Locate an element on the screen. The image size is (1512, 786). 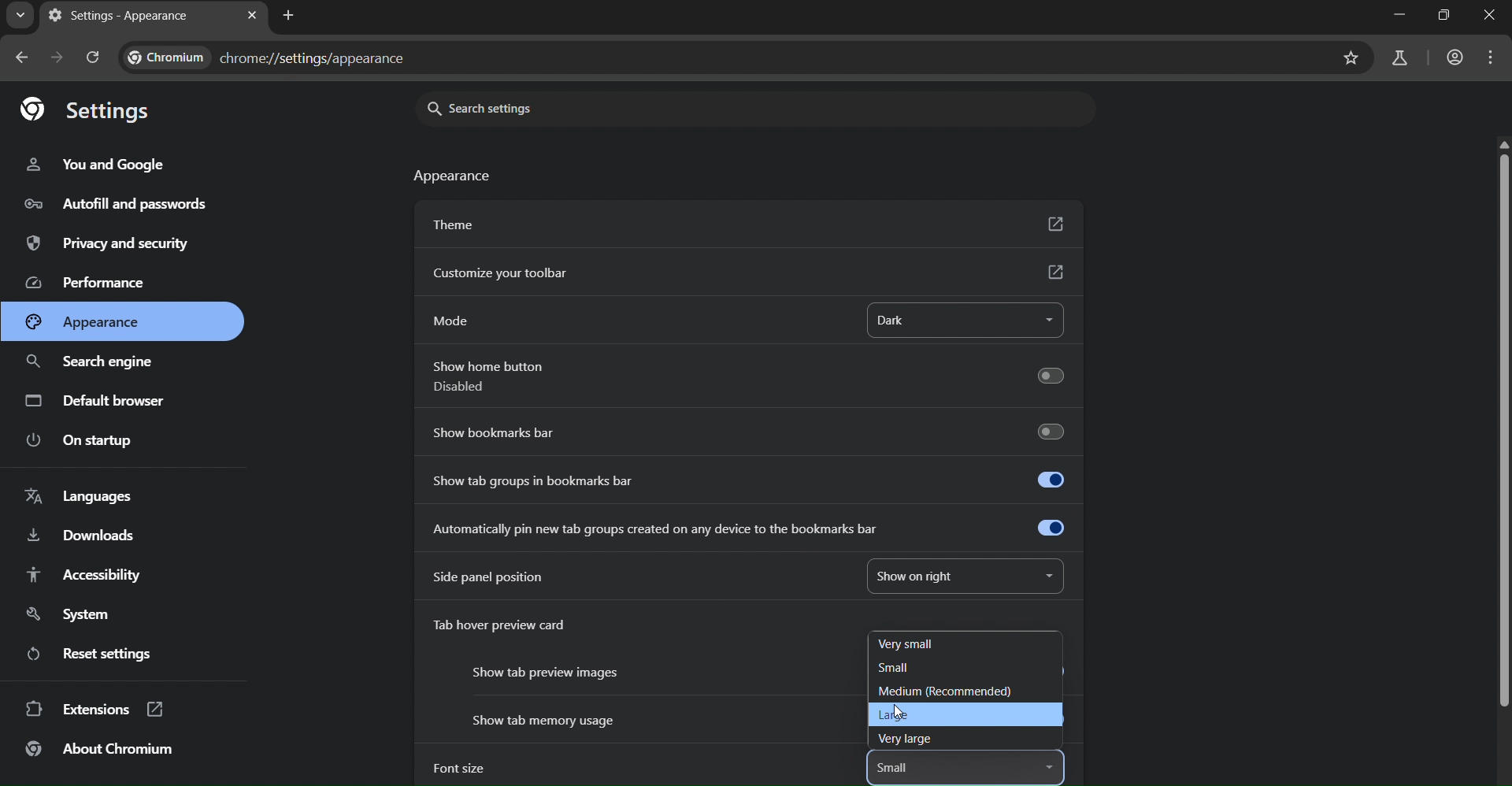
tab hover preview card is located at coordinates (512, 628).